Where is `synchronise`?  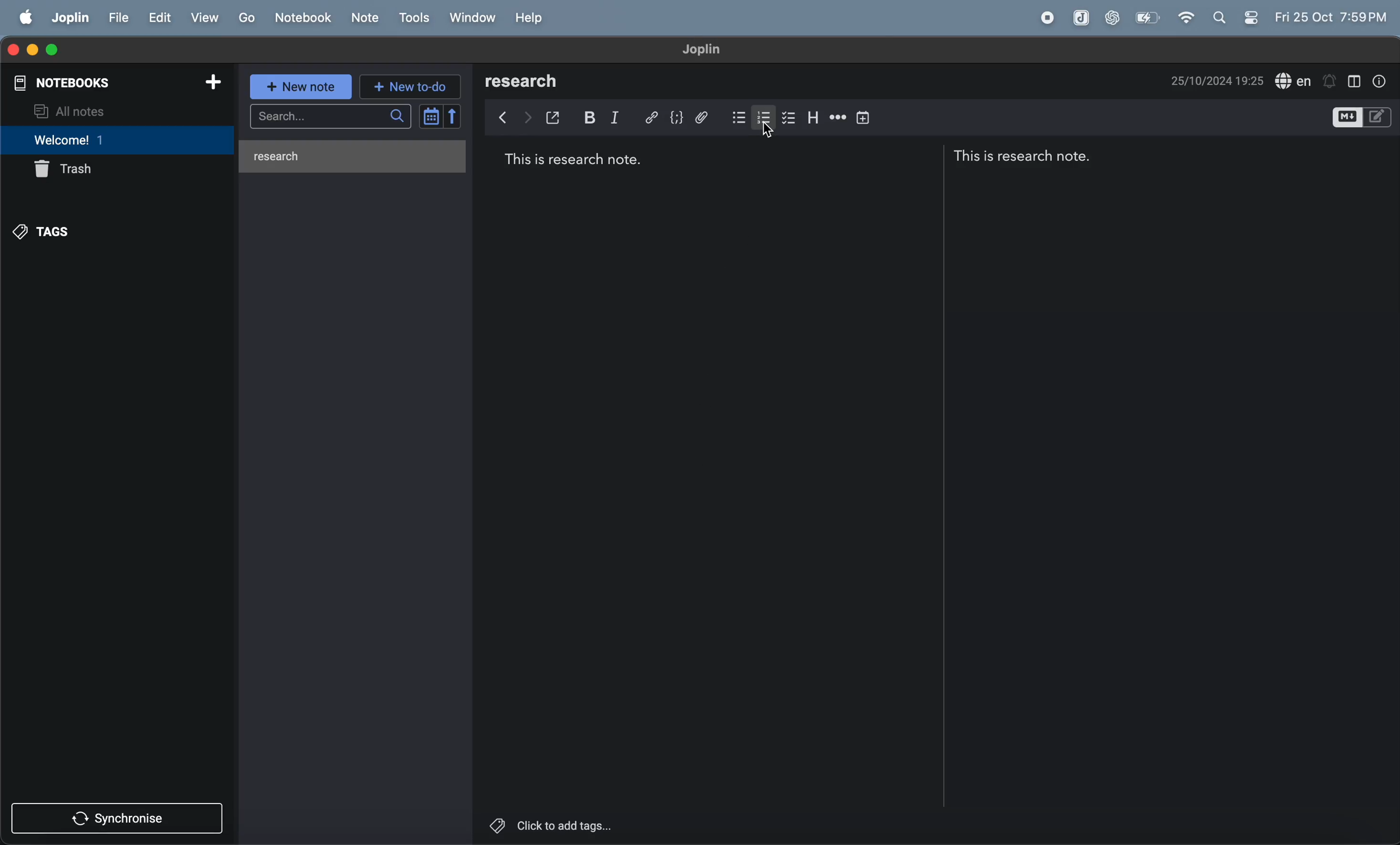 synchronise is located at coordinates (119, 819).